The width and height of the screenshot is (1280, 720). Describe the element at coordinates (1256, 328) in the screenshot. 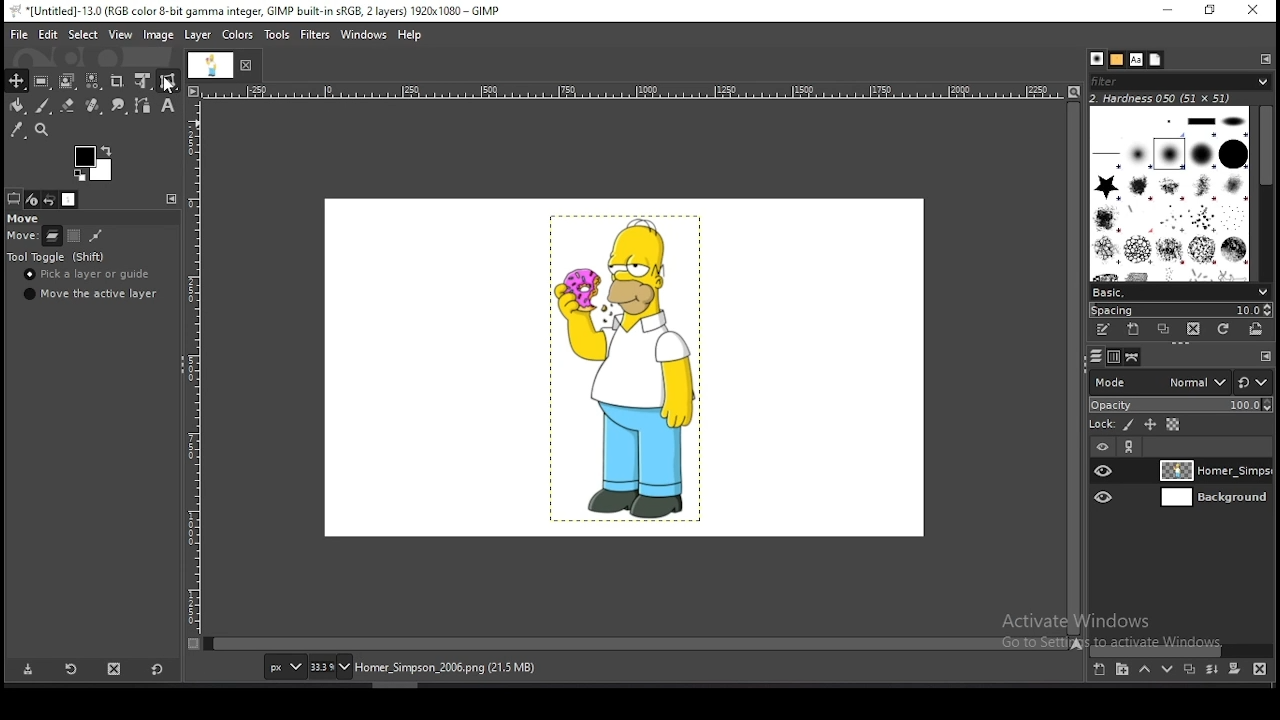

I see `open brush as image` at that location.